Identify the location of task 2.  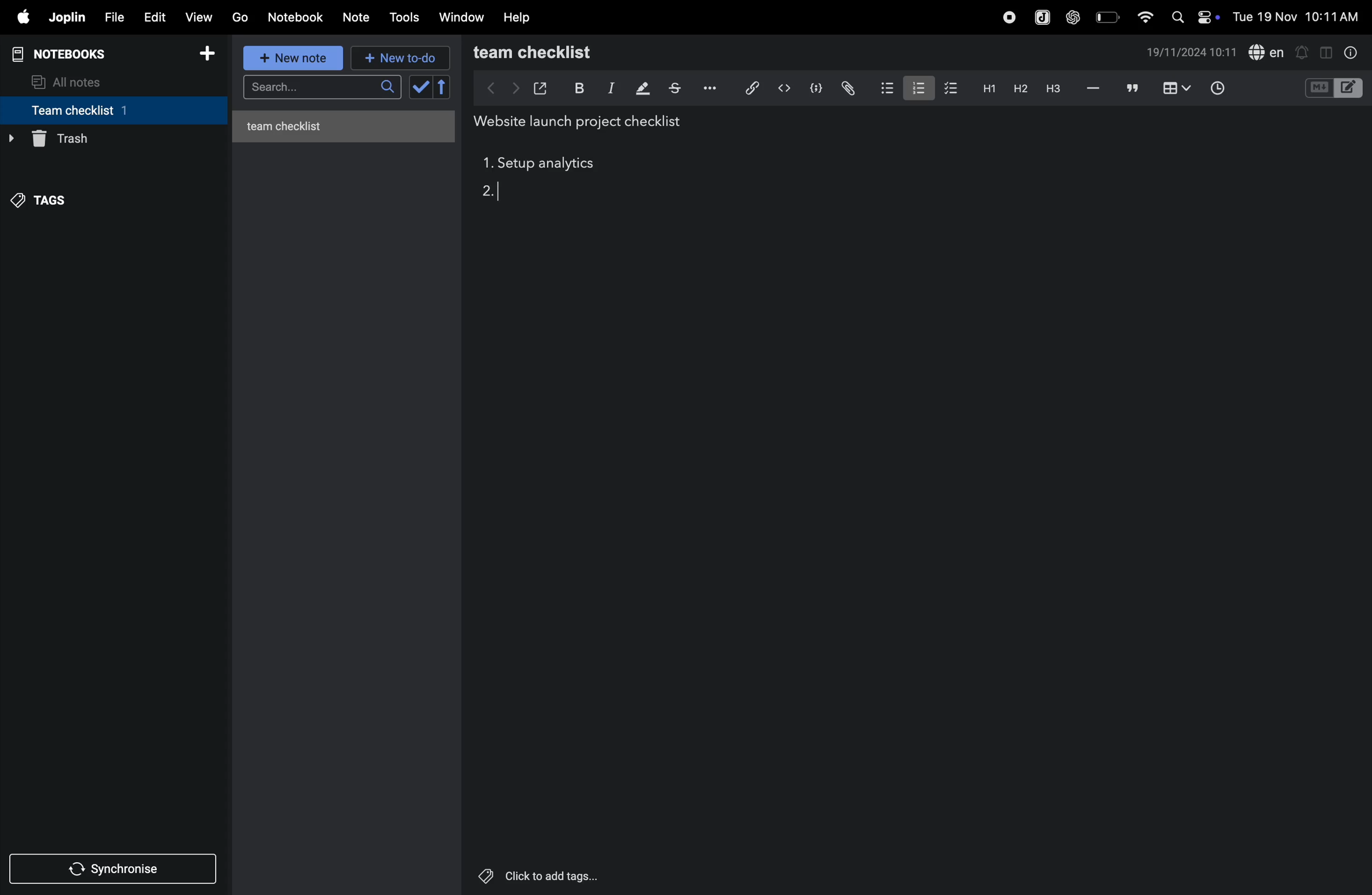
(494, 194).